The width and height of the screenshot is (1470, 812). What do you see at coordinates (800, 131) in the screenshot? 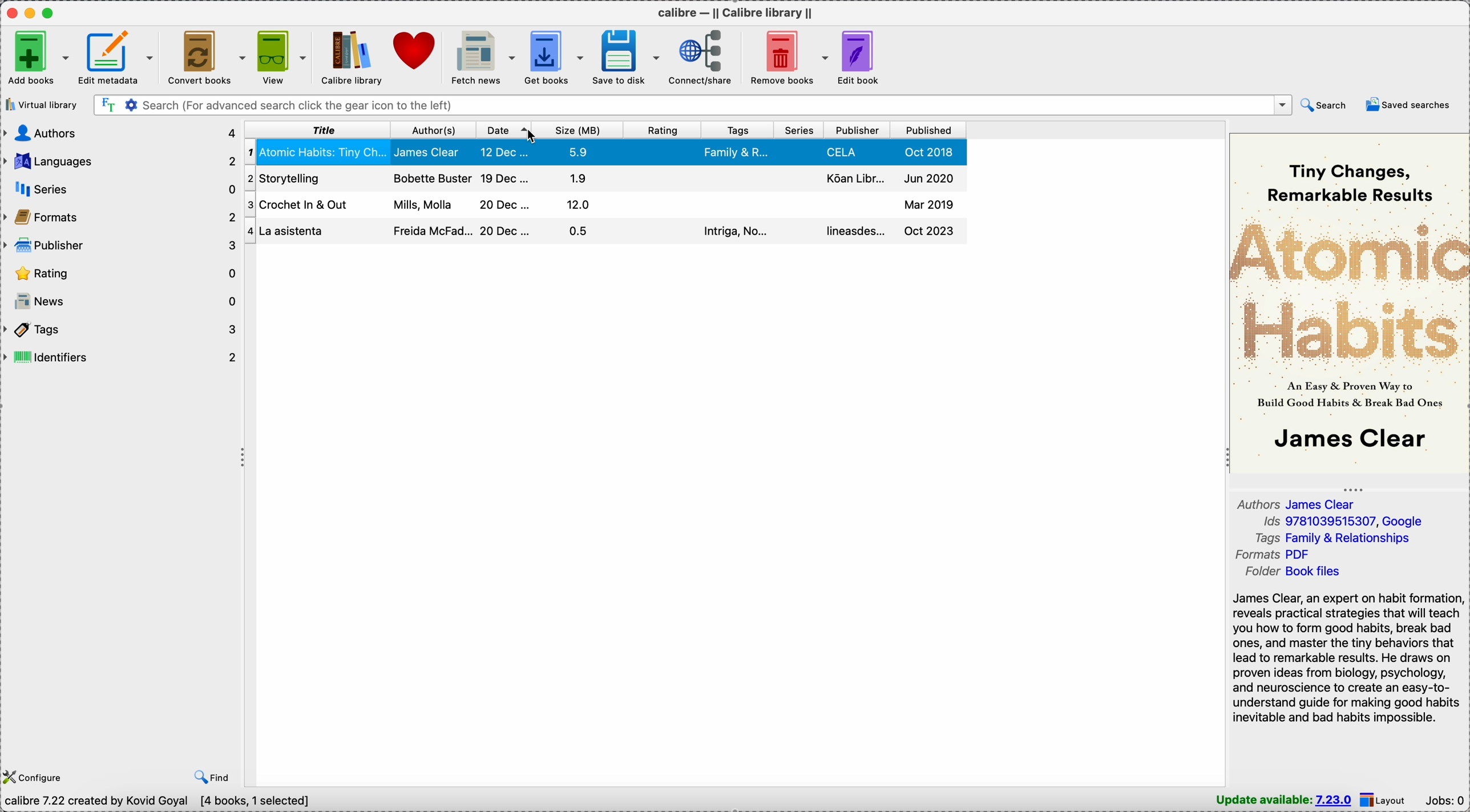
I see `series` at bounding box center [800, 131].